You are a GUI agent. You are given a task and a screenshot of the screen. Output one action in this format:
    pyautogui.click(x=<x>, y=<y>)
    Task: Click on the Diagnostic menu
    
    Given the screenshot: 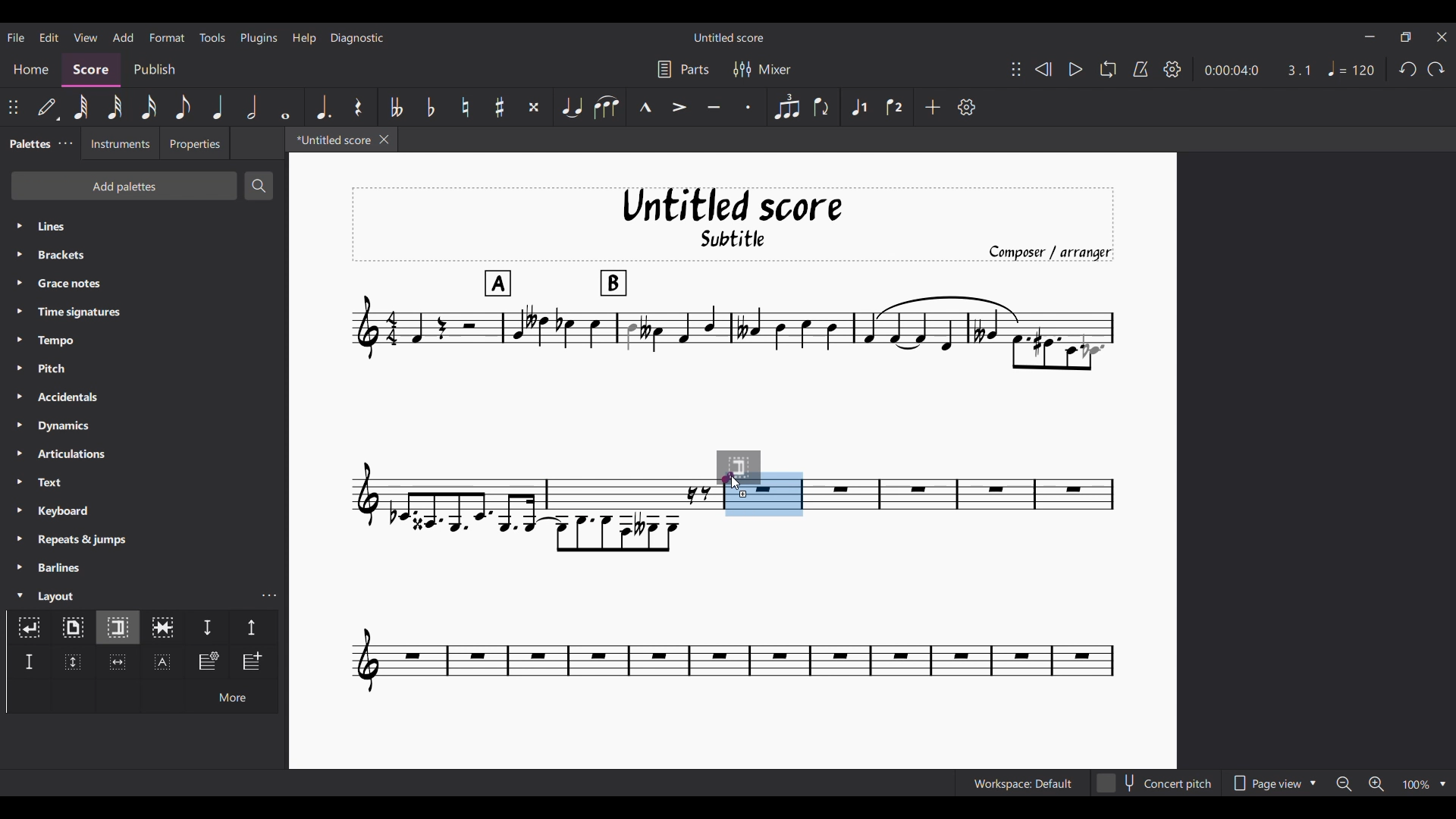 What is the action you would take?
    pyautogui.click(x=358, y=38)
    